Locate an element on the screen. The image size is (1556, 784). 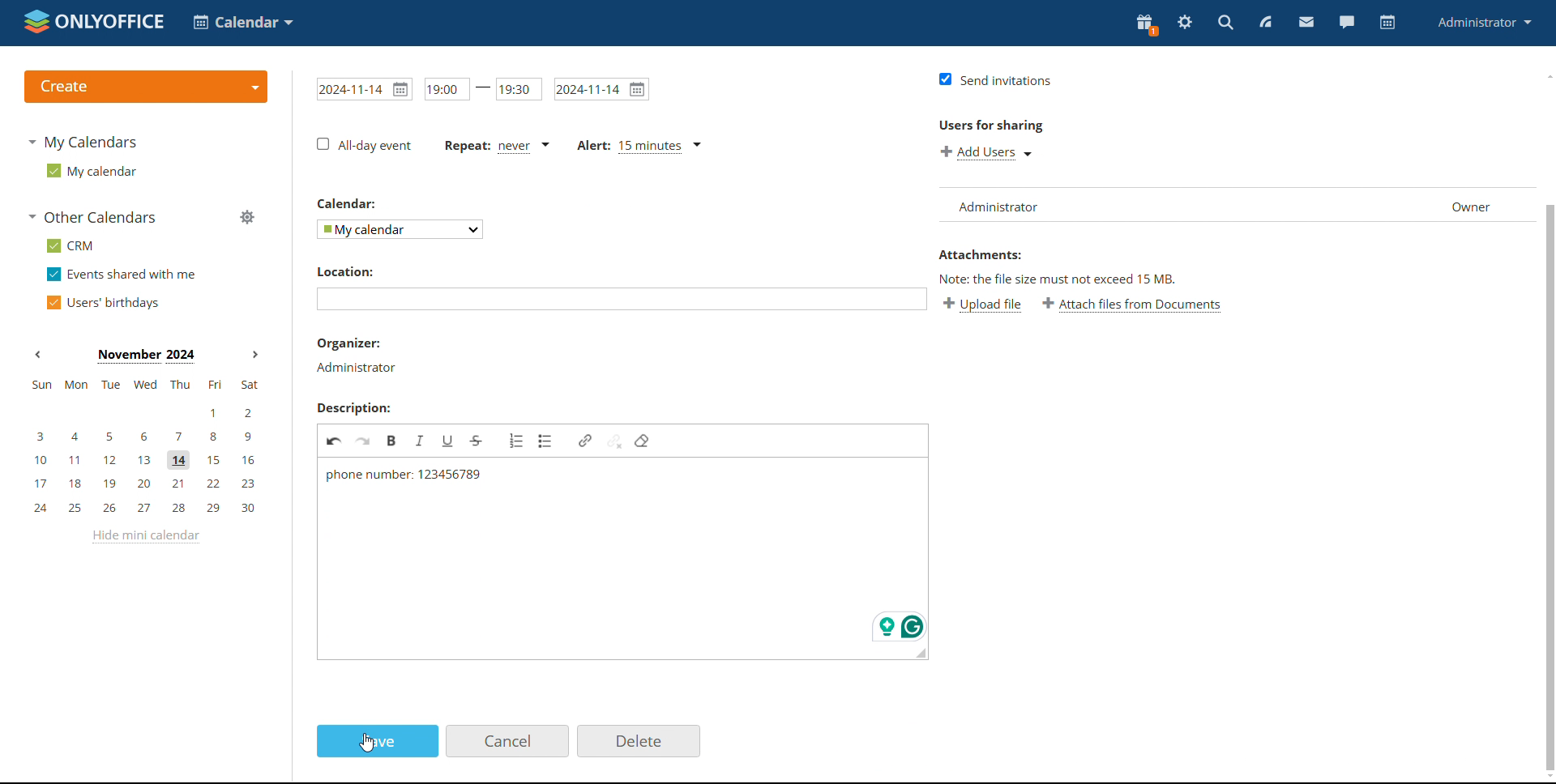
current month is located at coordinates (144, 356).